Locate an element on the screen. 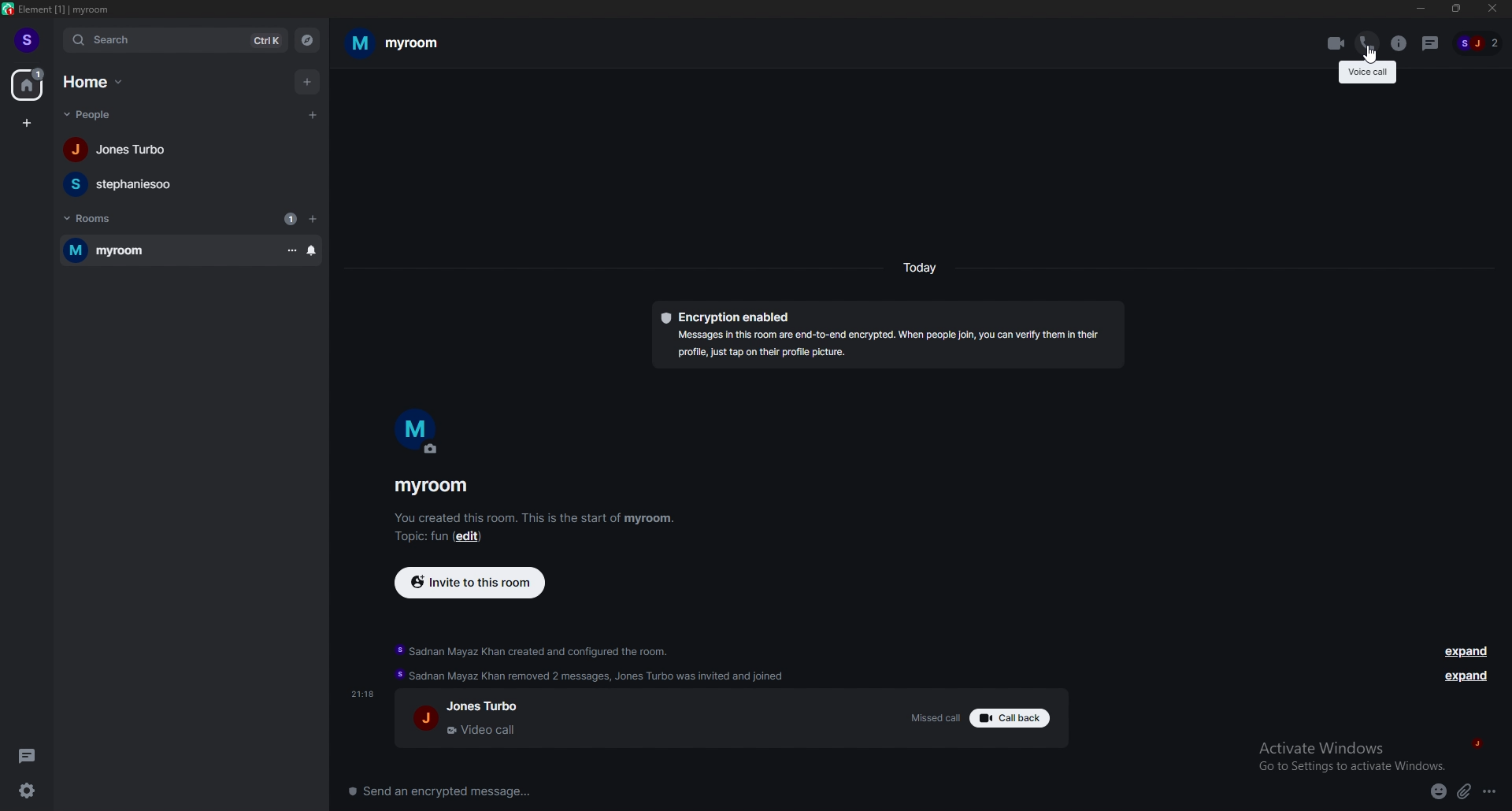  element [1] | myroom is located at coordinates (69, 9).